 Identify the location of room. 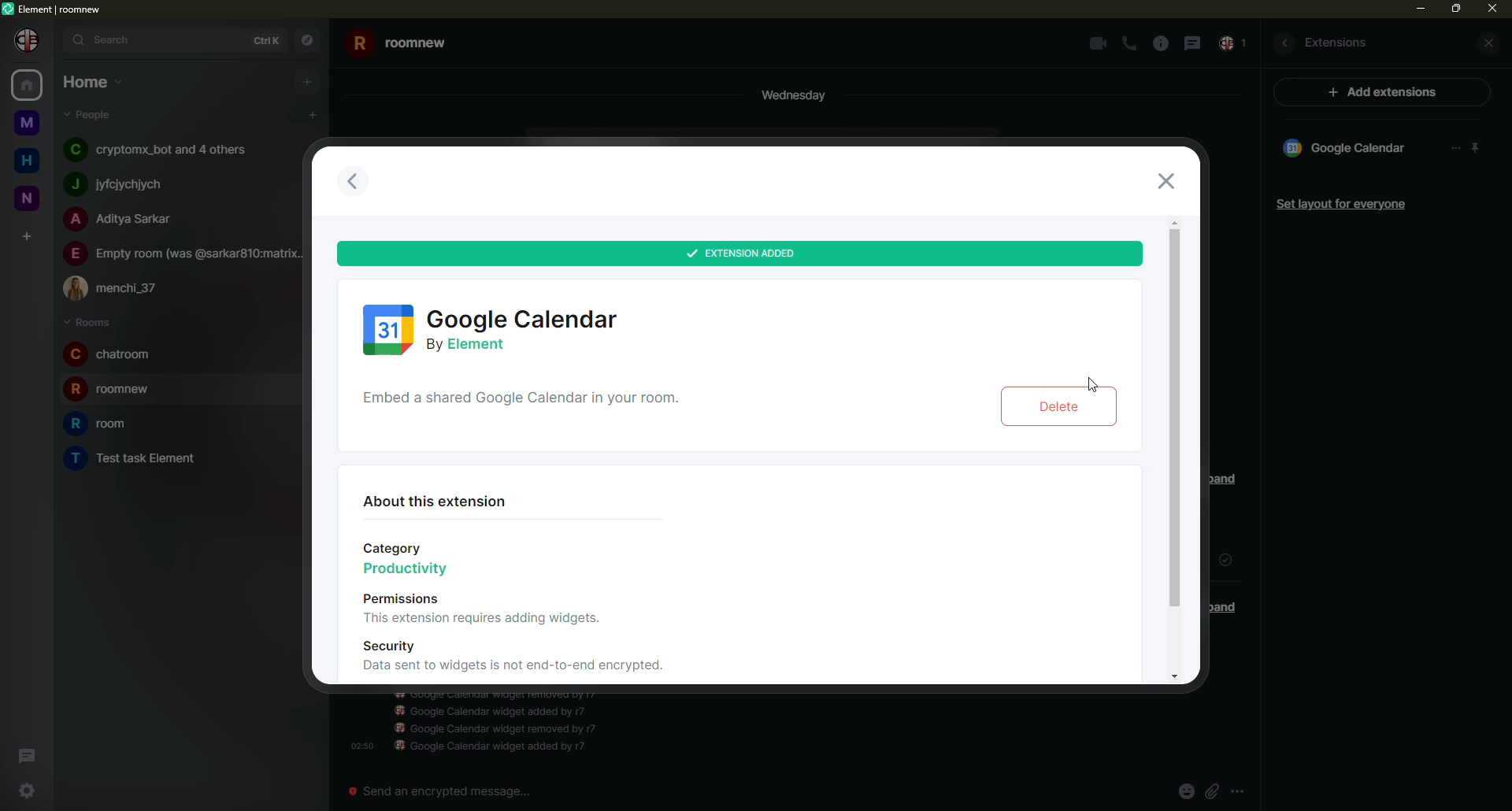
(112, 354).